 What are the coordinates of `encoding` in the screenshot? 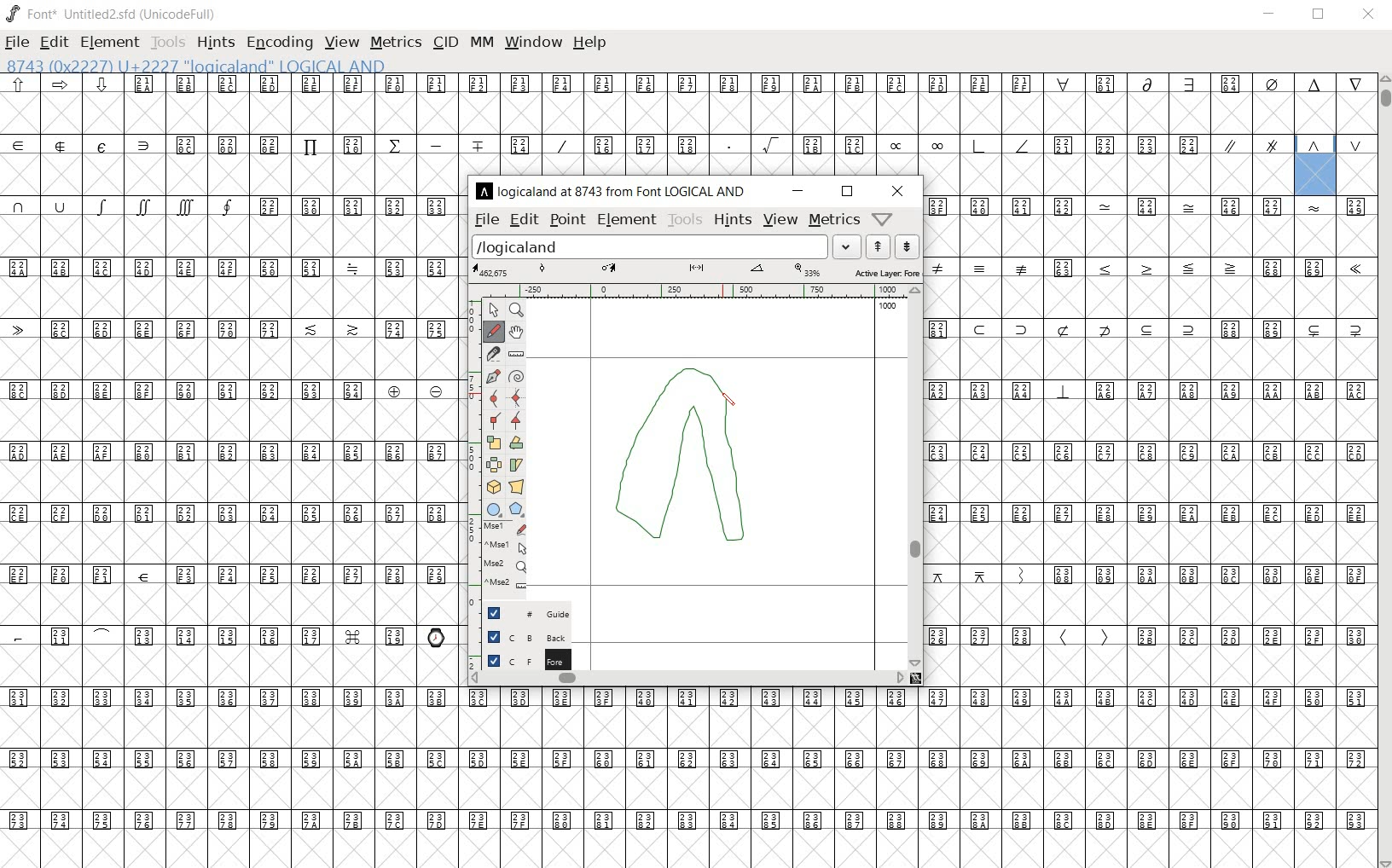 It's located at (281, 43).